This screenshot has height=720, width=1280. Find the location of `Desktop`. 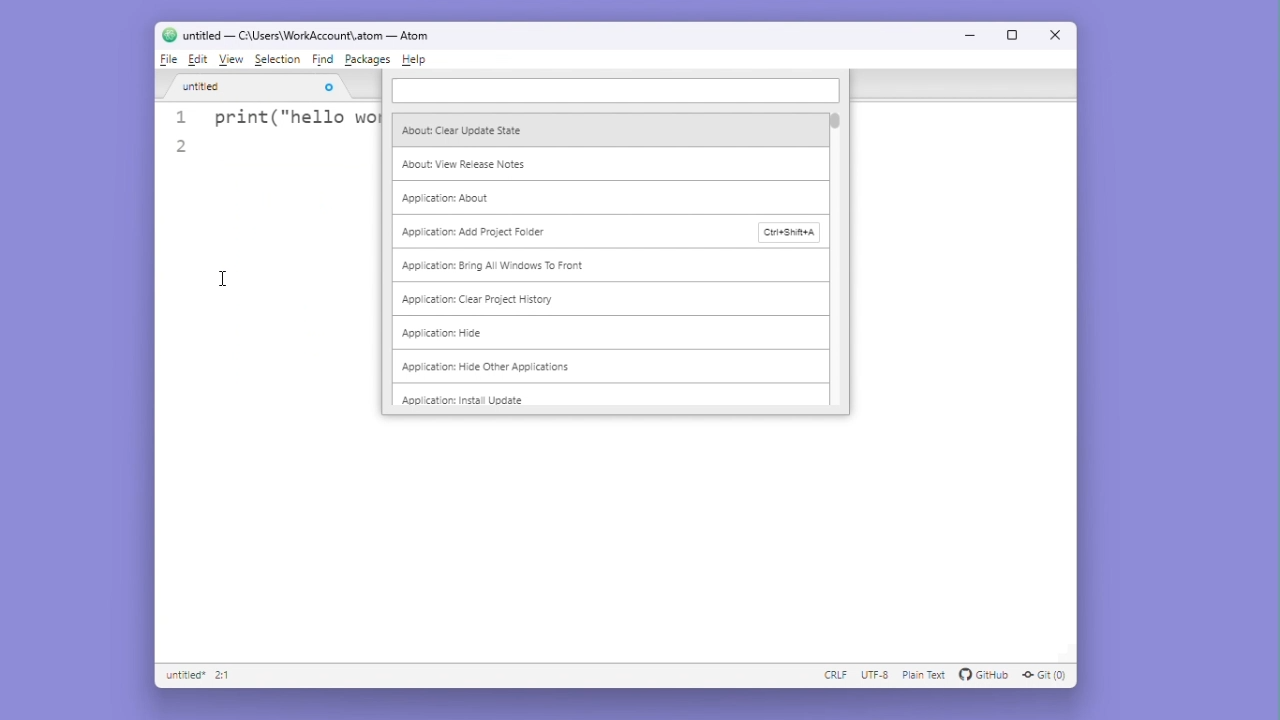

Desktop is located at coordinates (46, 325).